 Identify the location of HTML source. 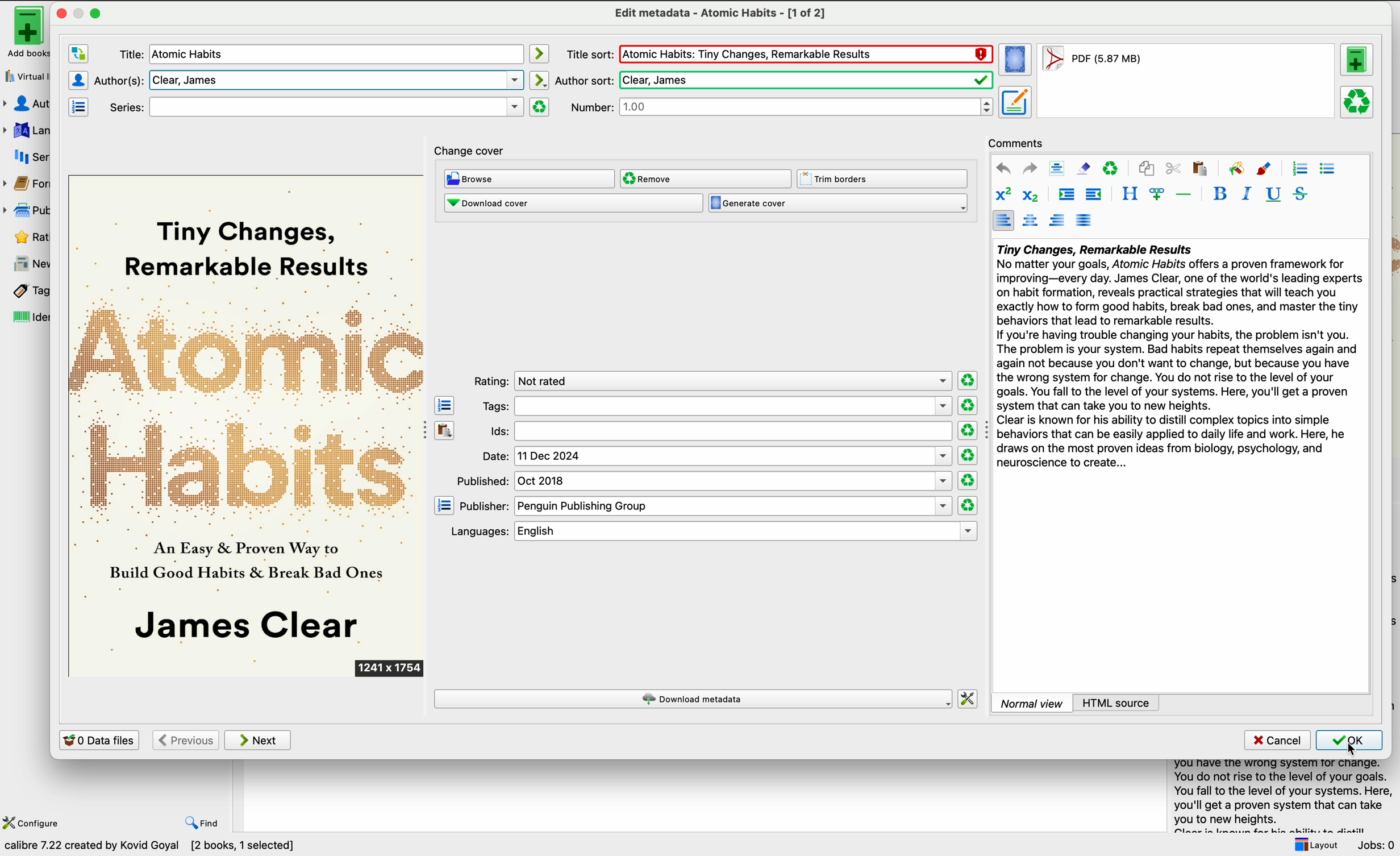
(1116, 703).